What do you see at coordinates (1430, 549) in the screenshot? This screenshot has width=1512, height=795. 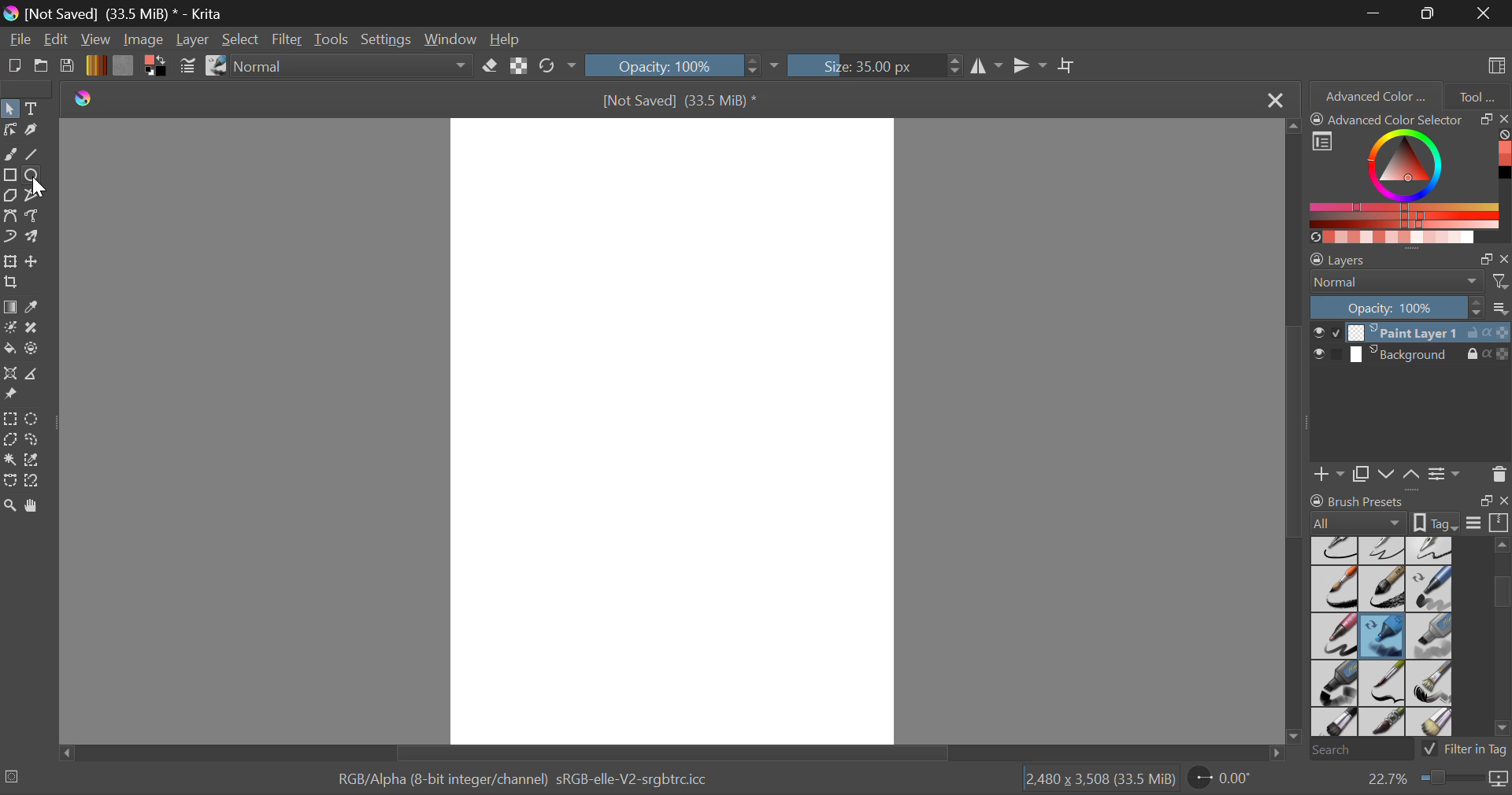 I see `Ink-4 Pen Rough` at bounding box center [1430, 549].